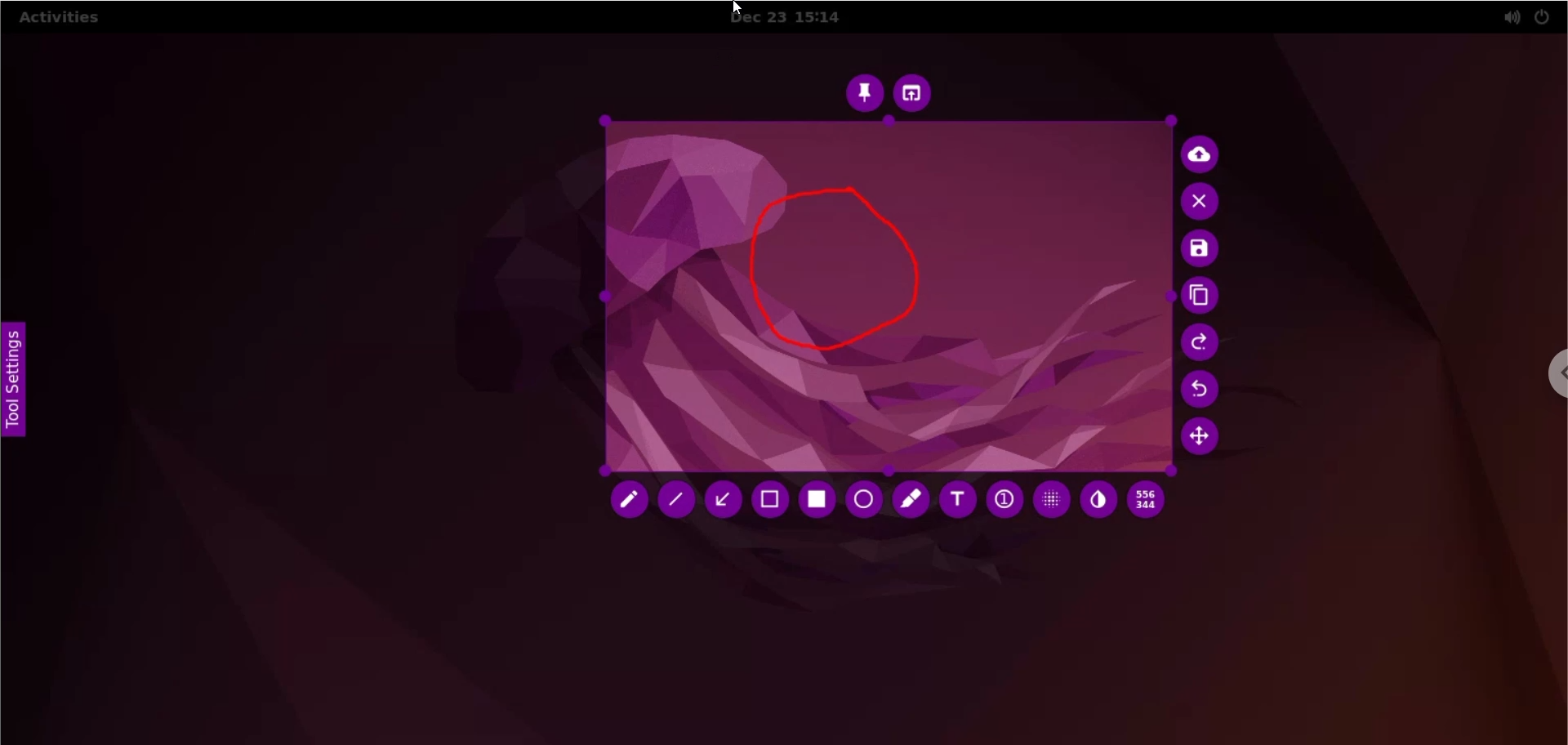  I want to click on pin, so click(863, 93).